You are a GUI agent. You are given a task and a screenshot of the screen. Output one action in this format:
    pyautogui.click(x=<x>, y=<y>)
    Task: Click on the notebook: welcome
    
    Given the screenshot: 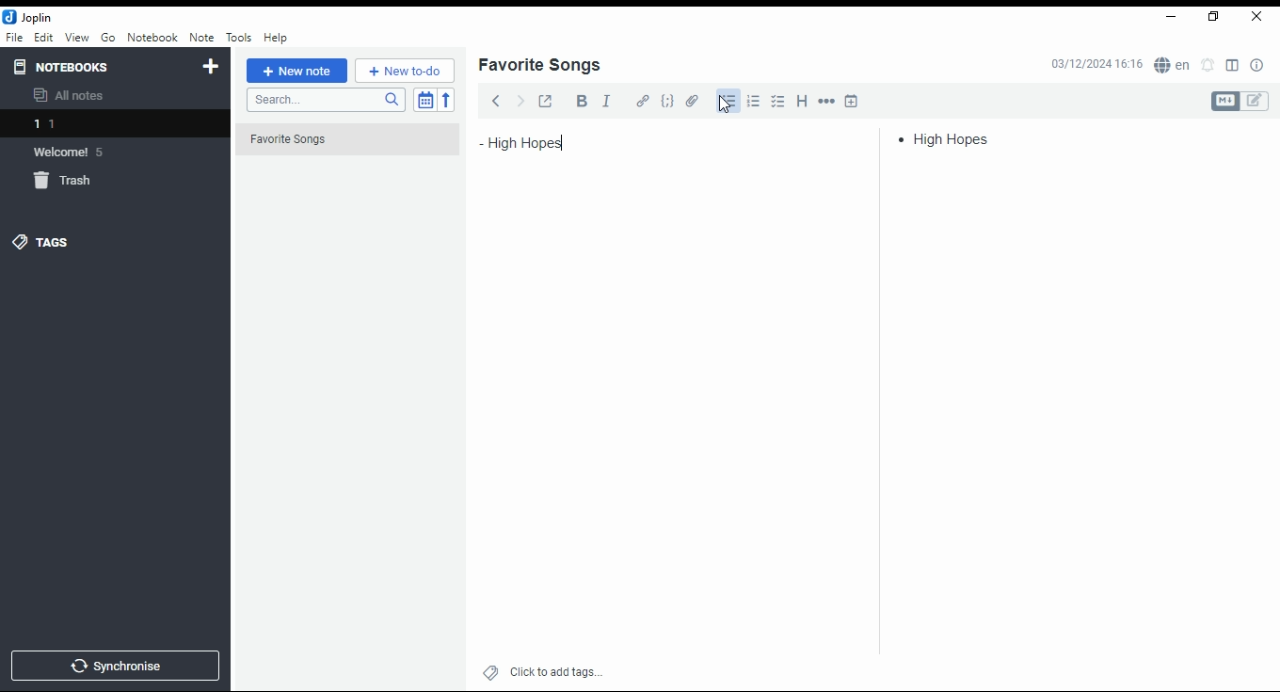 What is the action you would take?
    pyautogui.click(x=73, y=151)
    